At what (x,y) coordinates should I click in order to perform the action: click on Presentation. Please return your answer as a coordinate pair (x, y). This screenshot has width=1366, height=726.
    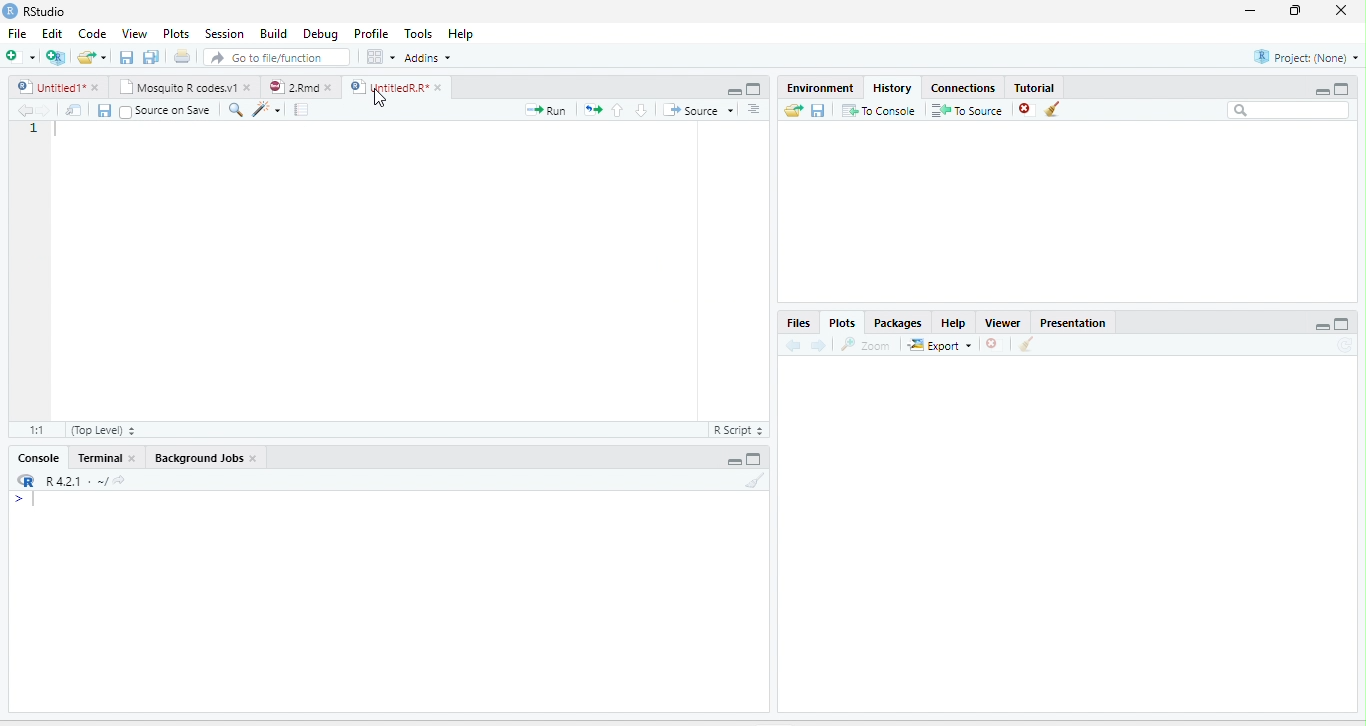
    Looking at the image, I should click on (1073, 321).